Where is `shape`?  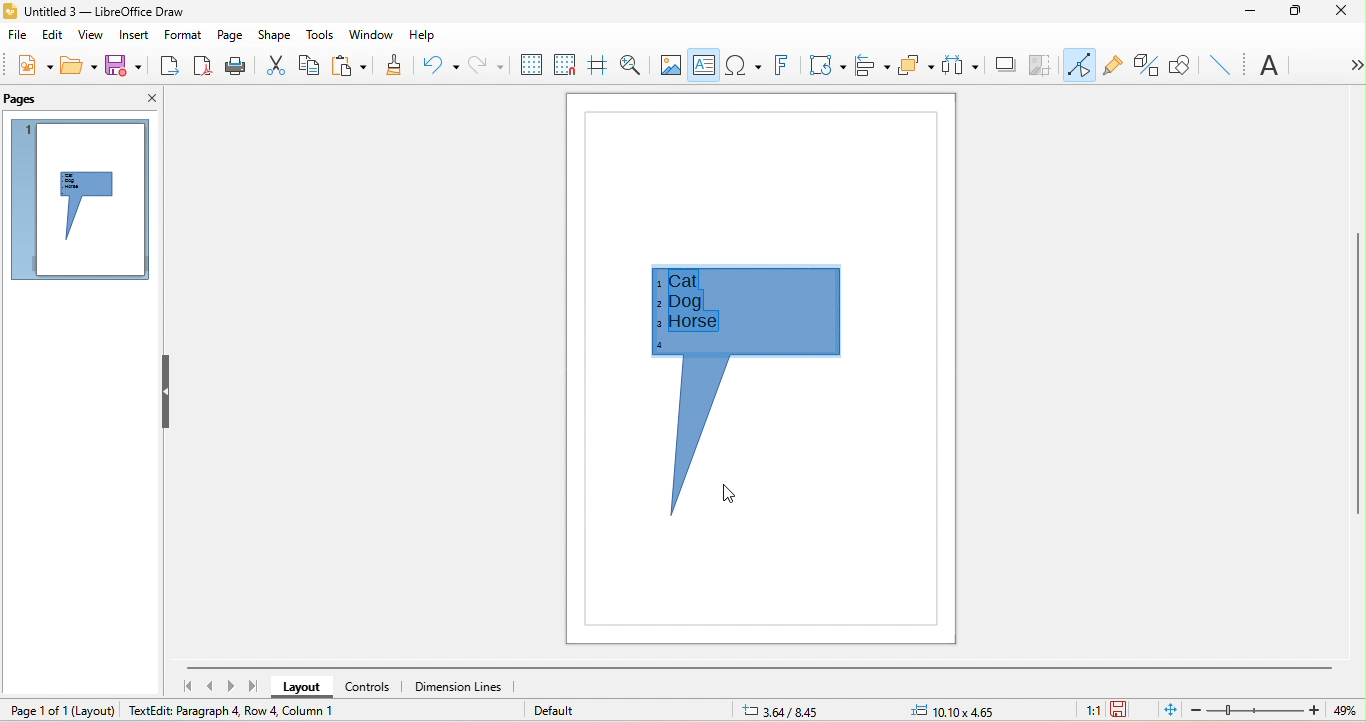
shape is located at coordinates (276, 35).